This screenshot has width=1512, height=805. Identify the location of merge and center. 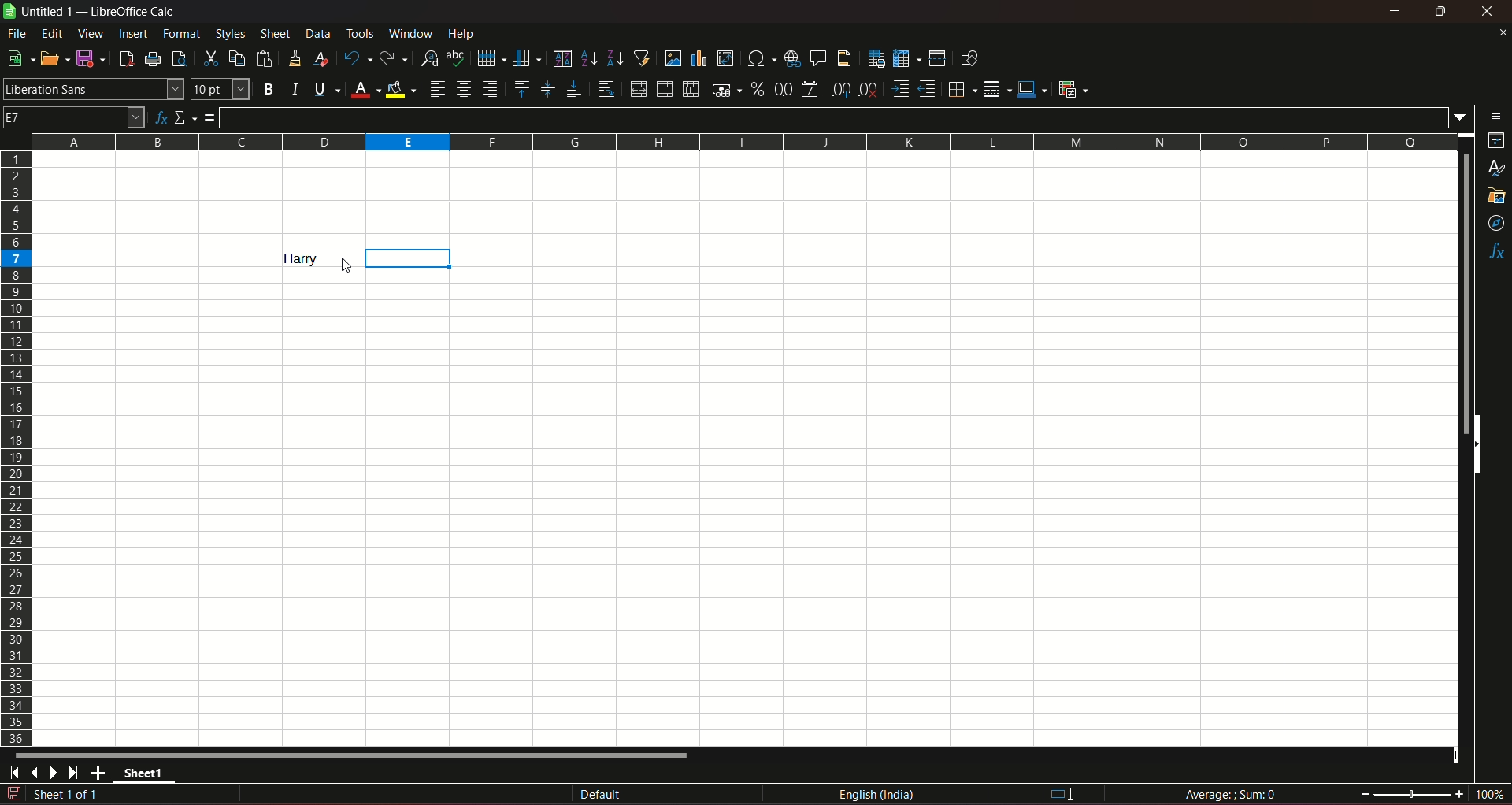
(637, 89).